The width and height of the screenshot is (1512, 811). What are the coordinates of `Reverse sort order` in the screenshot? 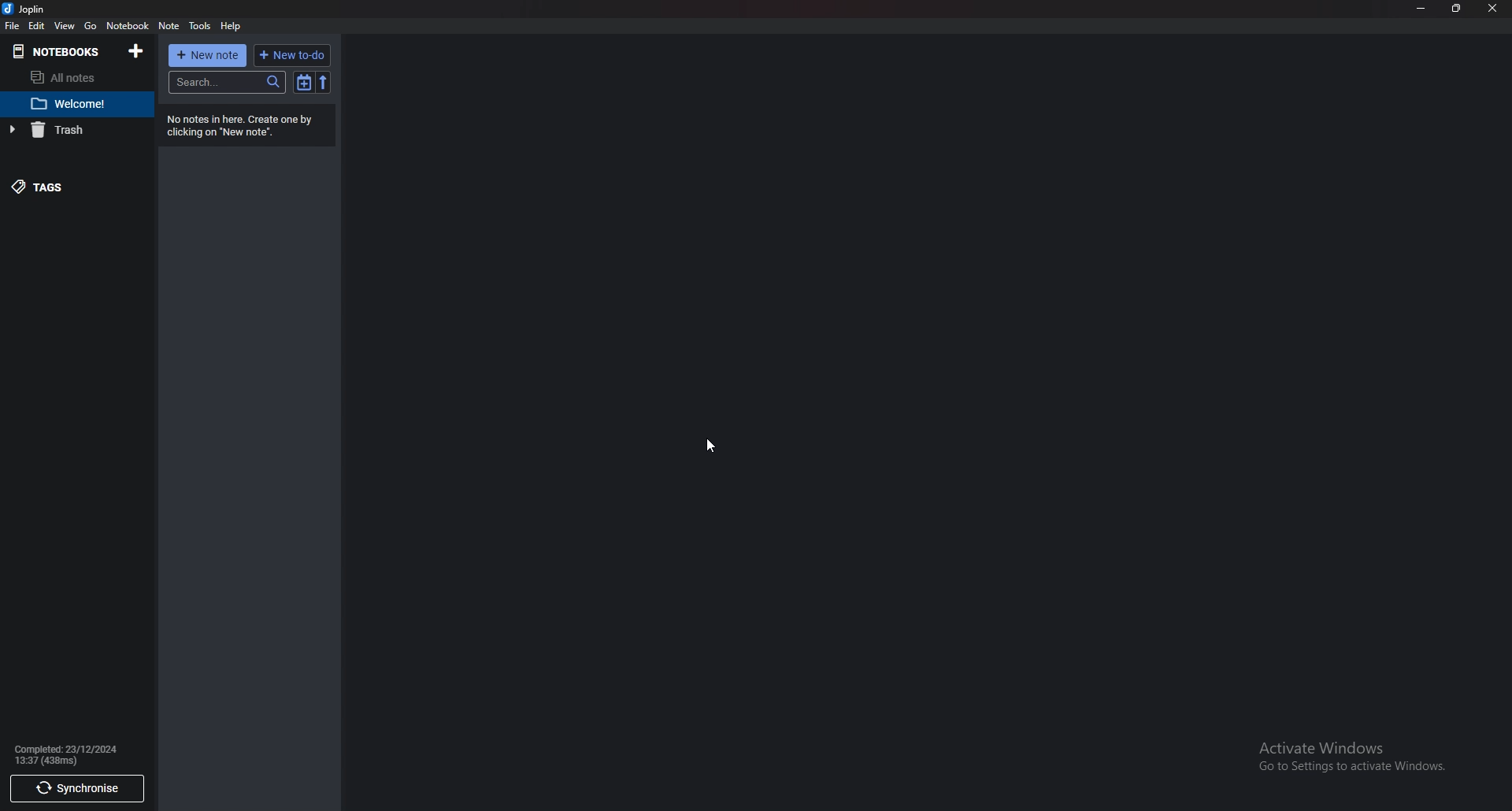 It's located at (323, 83).